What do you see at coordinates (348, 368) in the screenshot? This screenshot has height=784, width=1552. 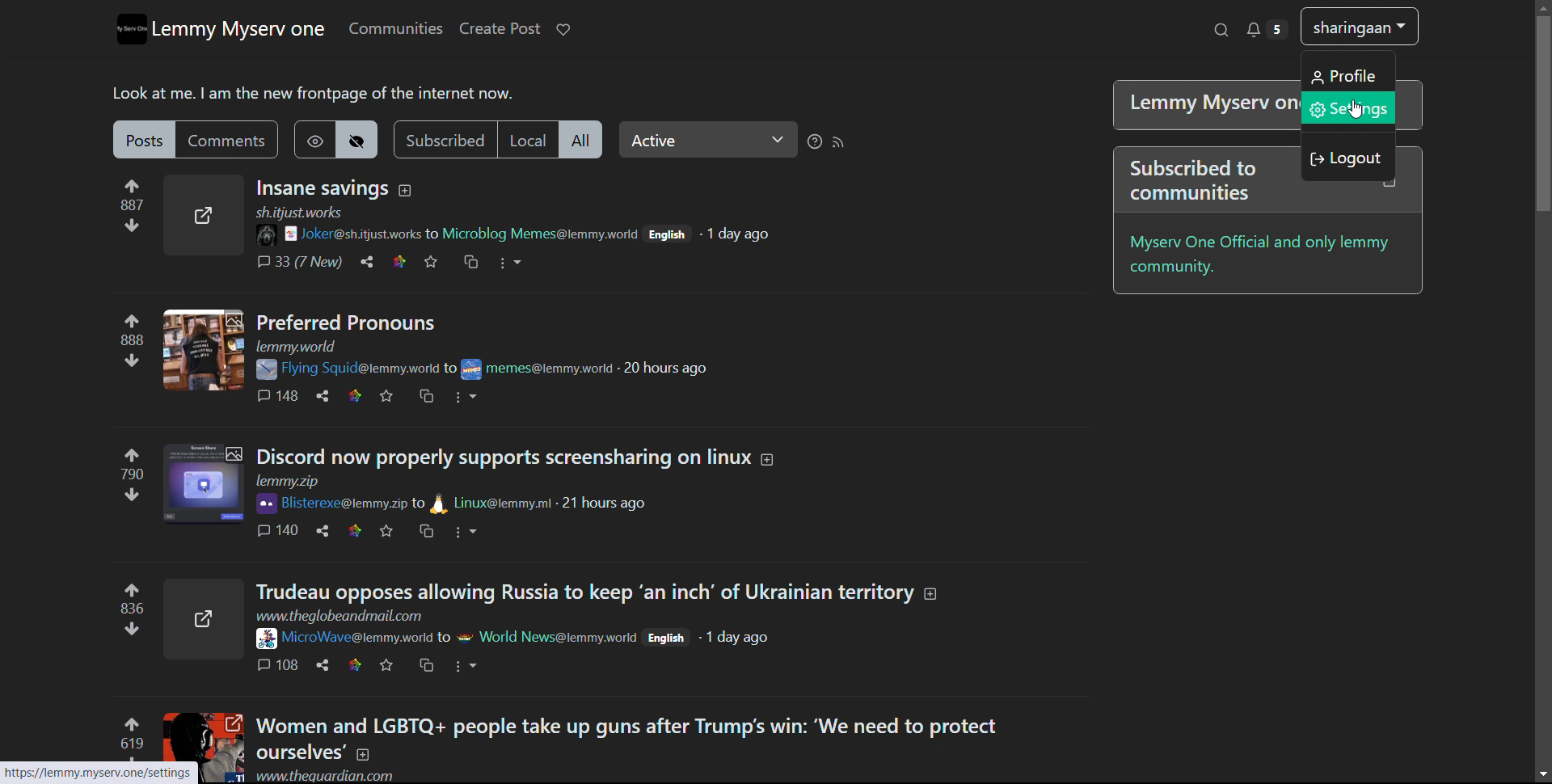 I see `Flying Squid@lemmy.world` at bounding box center [348, 368].